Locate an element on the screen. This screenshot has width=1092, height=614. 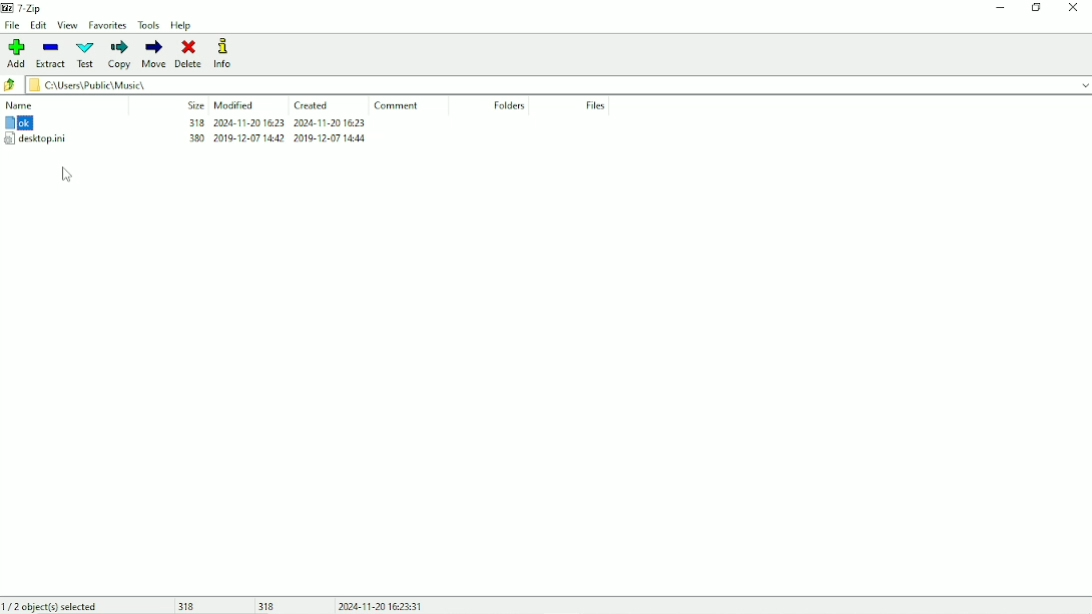
318 is located at coordinates (189, 605).